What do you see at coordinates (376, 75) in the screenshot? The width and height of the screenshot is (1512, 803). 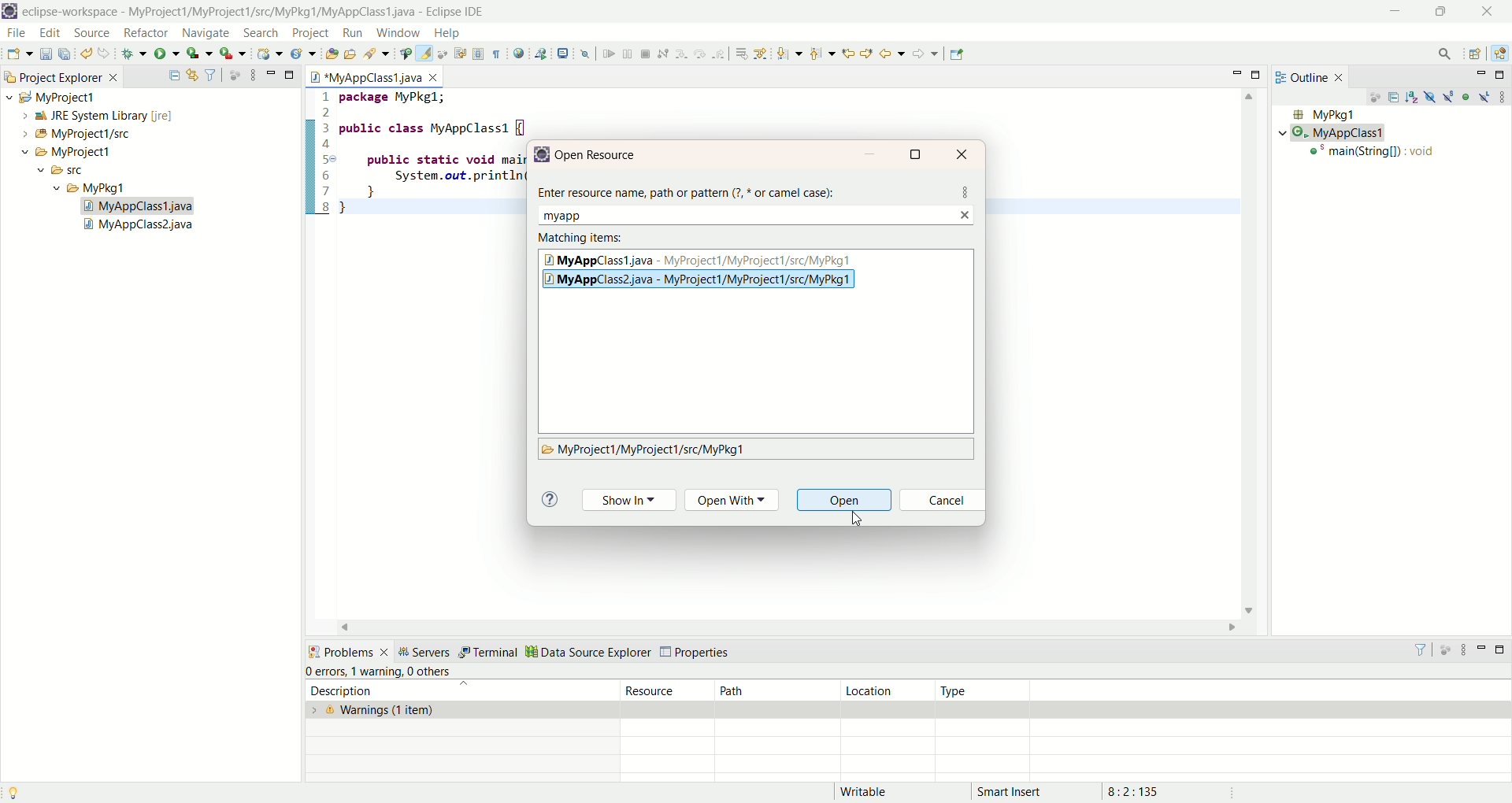 I see `MyAppClass1.java` at bounding box center [376, 75].